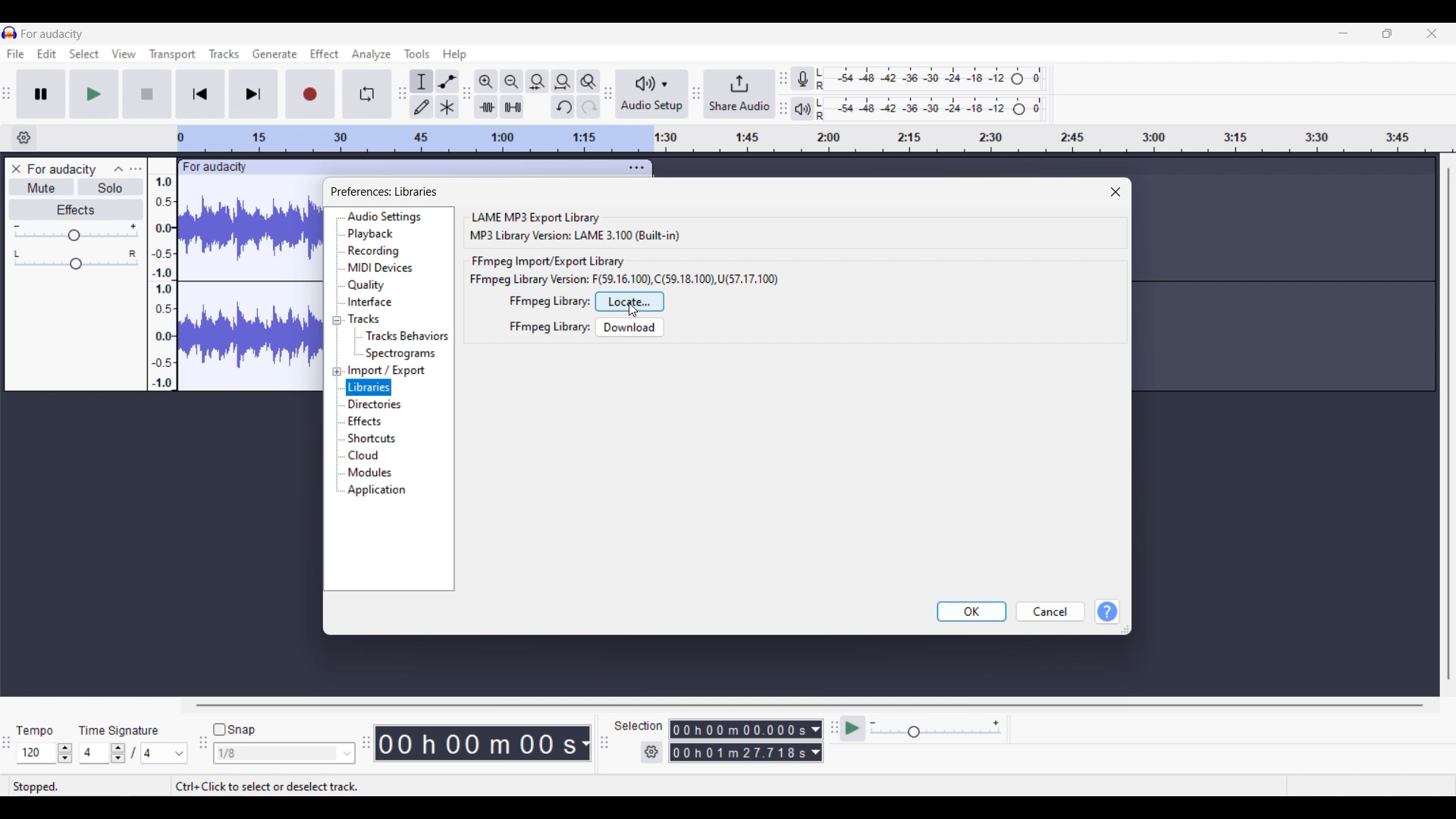  What do you see at coordinates (162, 275) in the screenshot?
I see `amplitude` at bounding box center [162, 275].